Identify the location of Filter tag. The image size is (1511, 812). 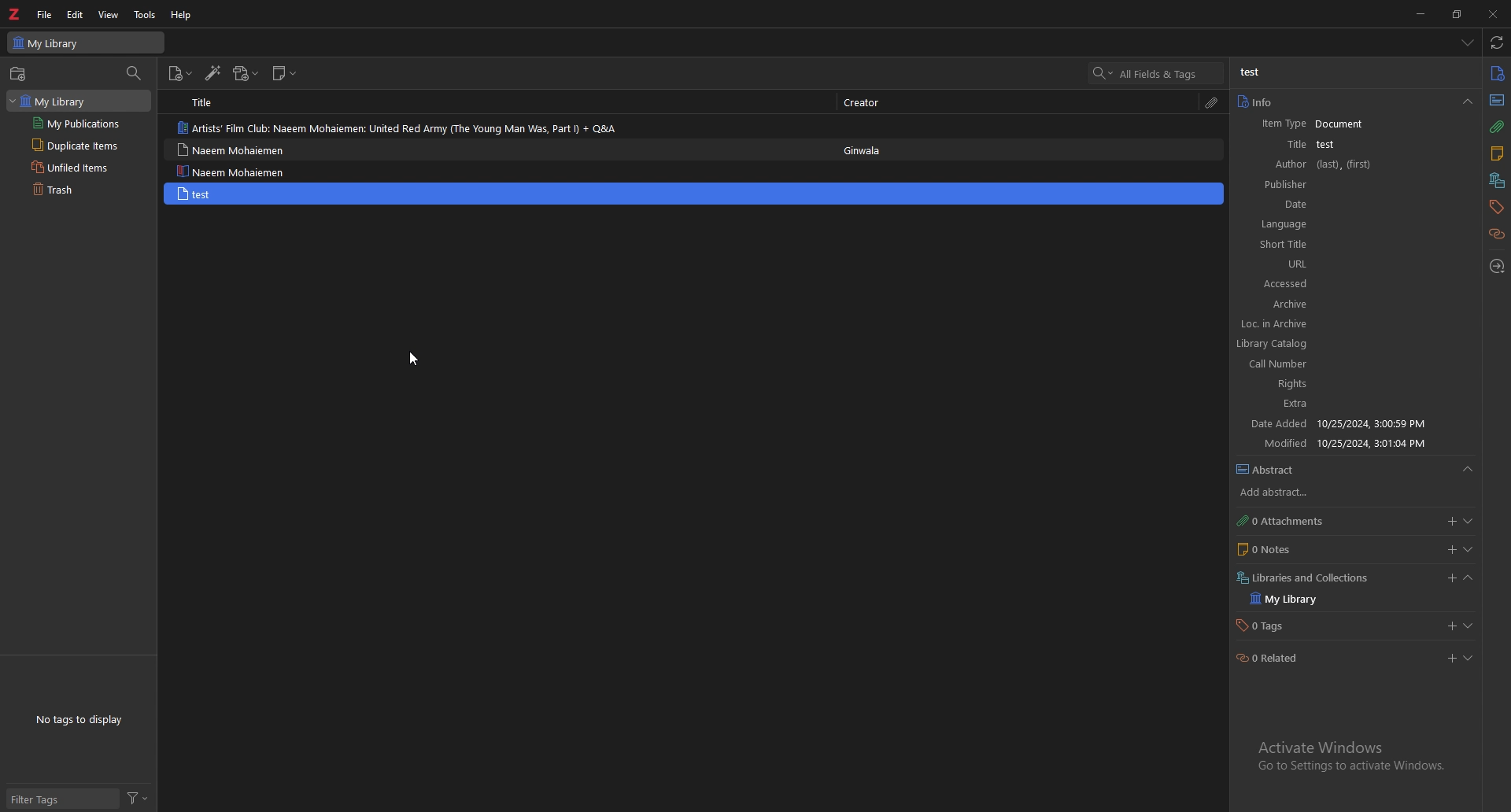
(42, 798).